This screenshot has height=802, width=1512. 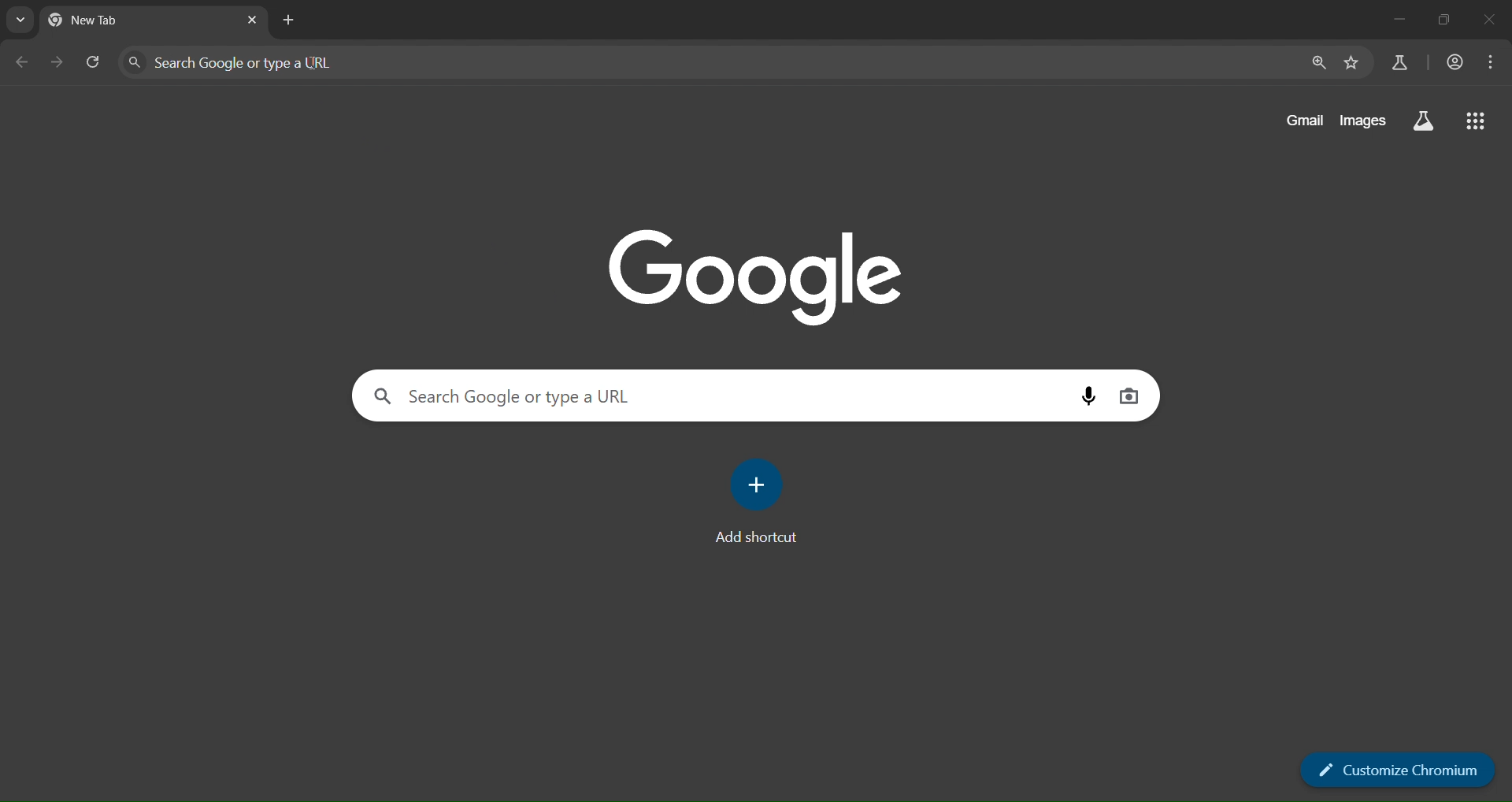 What do you see at coordinates (1364, 120) in the screenshot?
I see `images` at bounding box center [1364, 120].